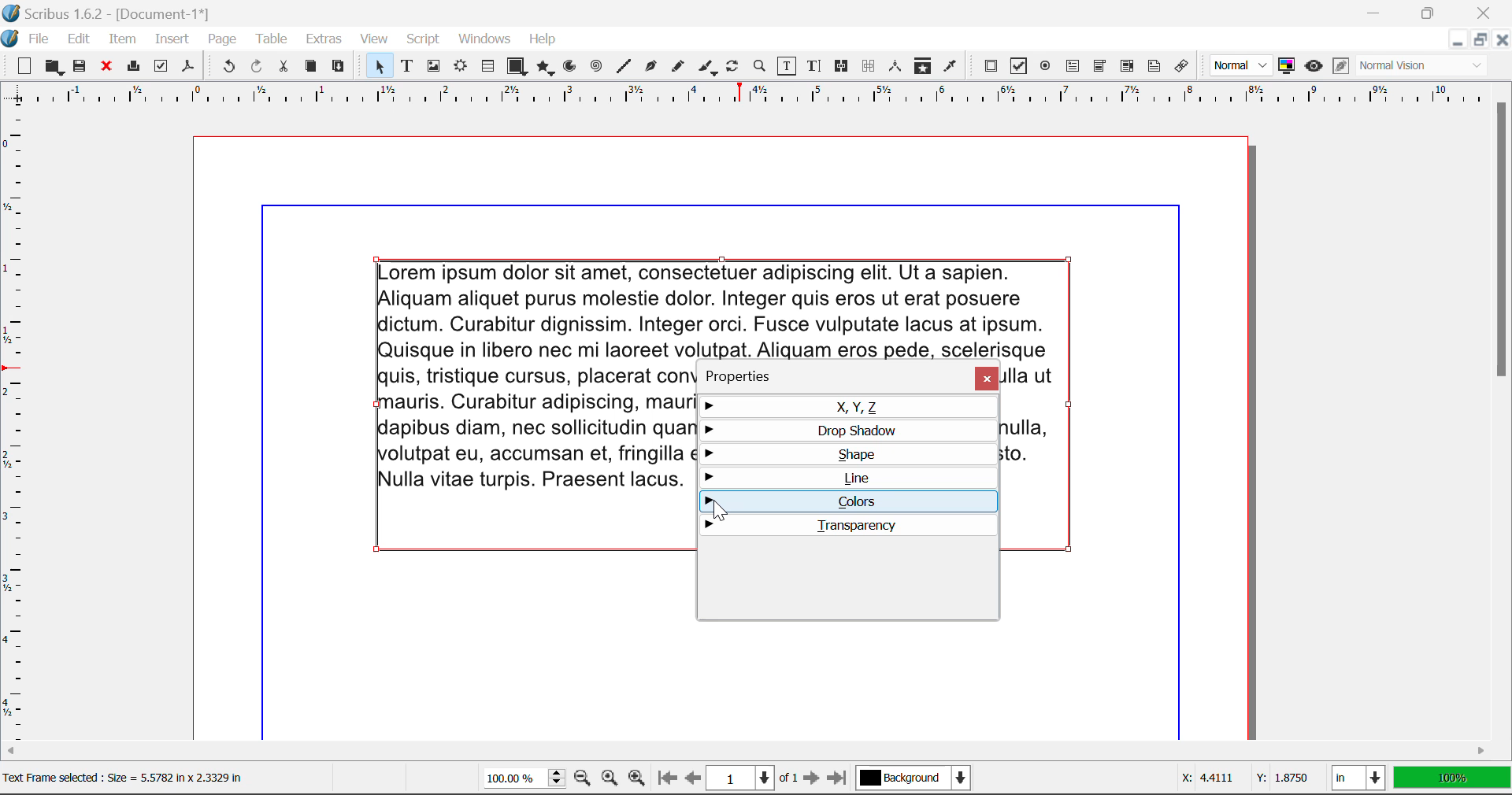 This screenshot has width=1512, height=795. I want to click on scribus logo, so click(11, 39).